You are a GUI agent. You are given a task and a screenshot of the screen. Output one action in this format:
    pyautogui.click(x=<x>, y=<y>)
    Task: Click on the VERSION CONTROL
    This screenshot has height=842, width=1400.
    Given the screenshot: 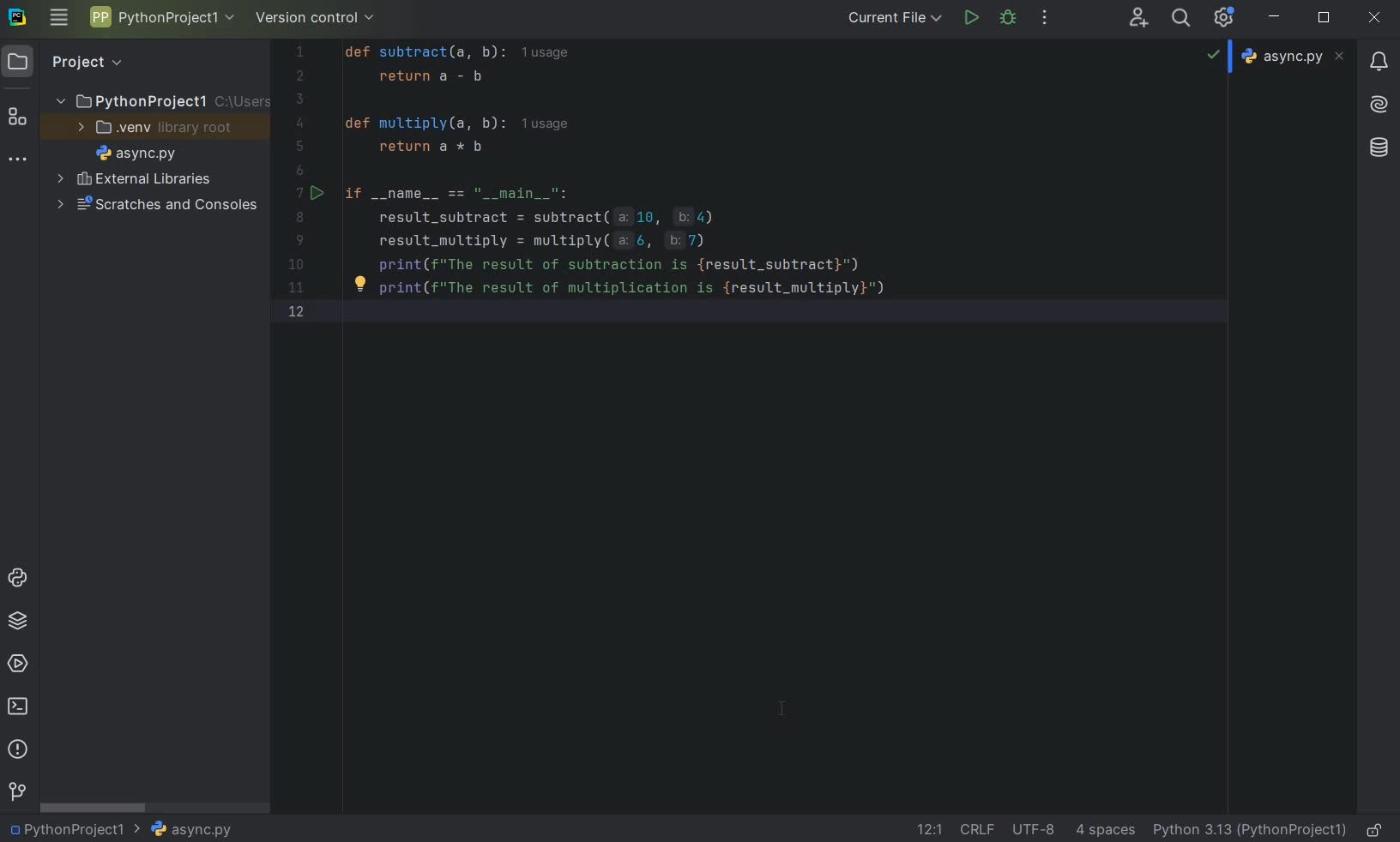 What is the action you would take?
    pyautogui.click(x=16, y=791)
    